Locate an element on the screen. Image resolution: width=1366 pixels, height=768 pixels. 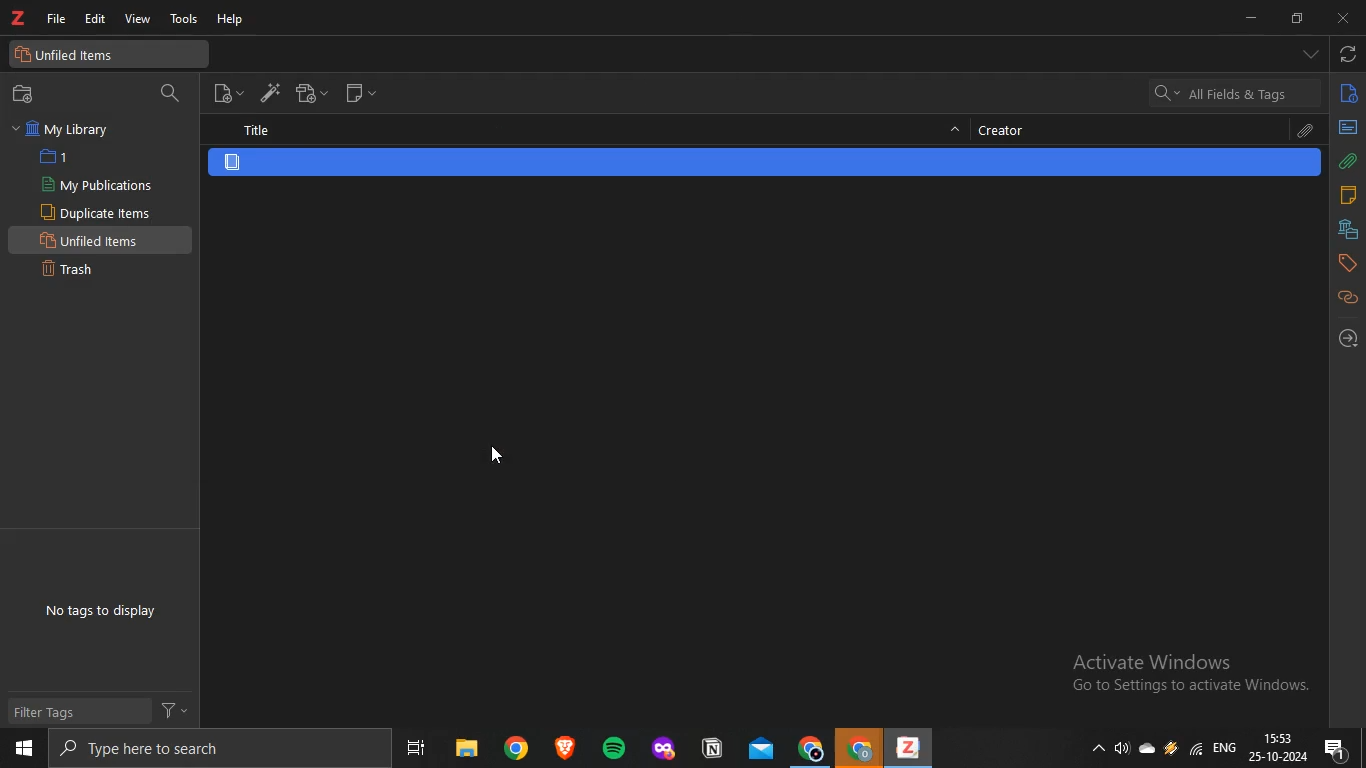
date is located at coordinates (1279, 757).